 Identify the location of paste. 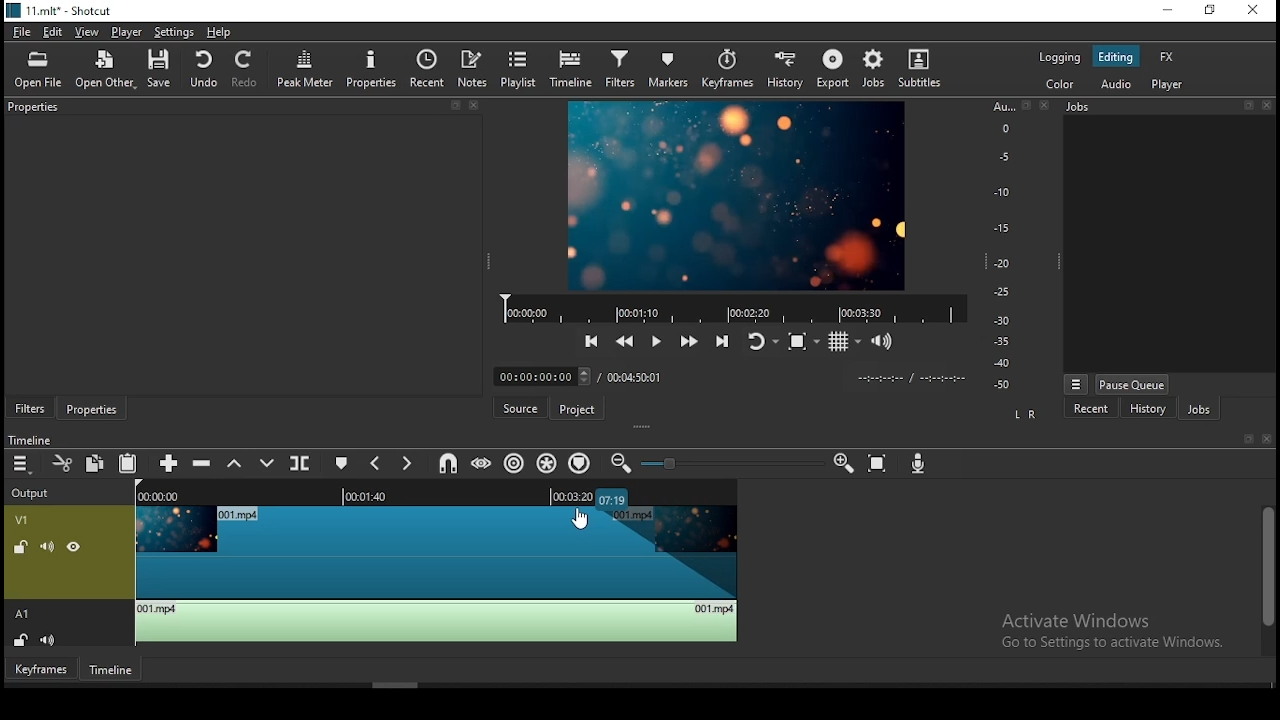
(128, 465).